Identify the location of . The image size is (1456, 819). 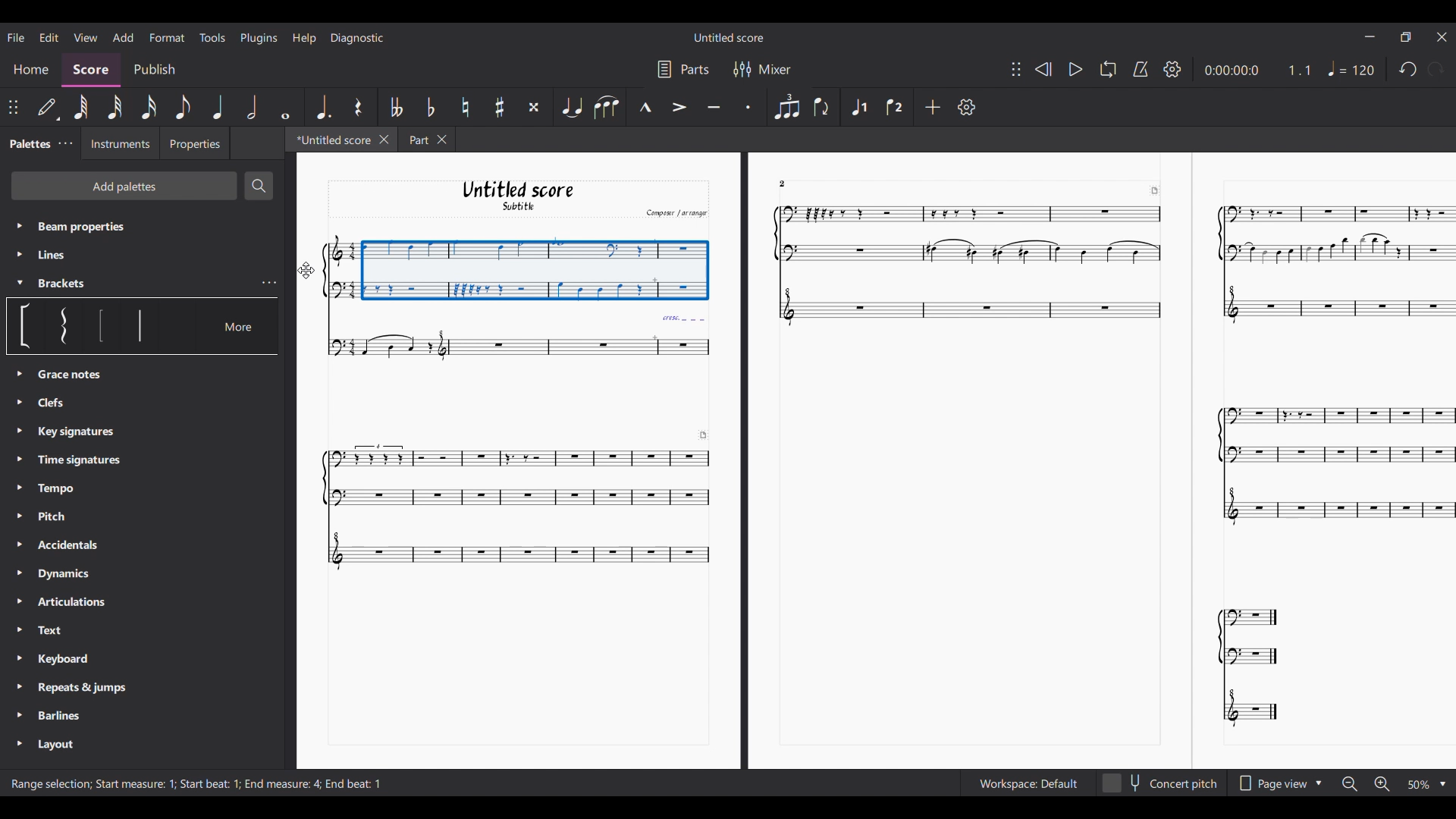
(17, 373).